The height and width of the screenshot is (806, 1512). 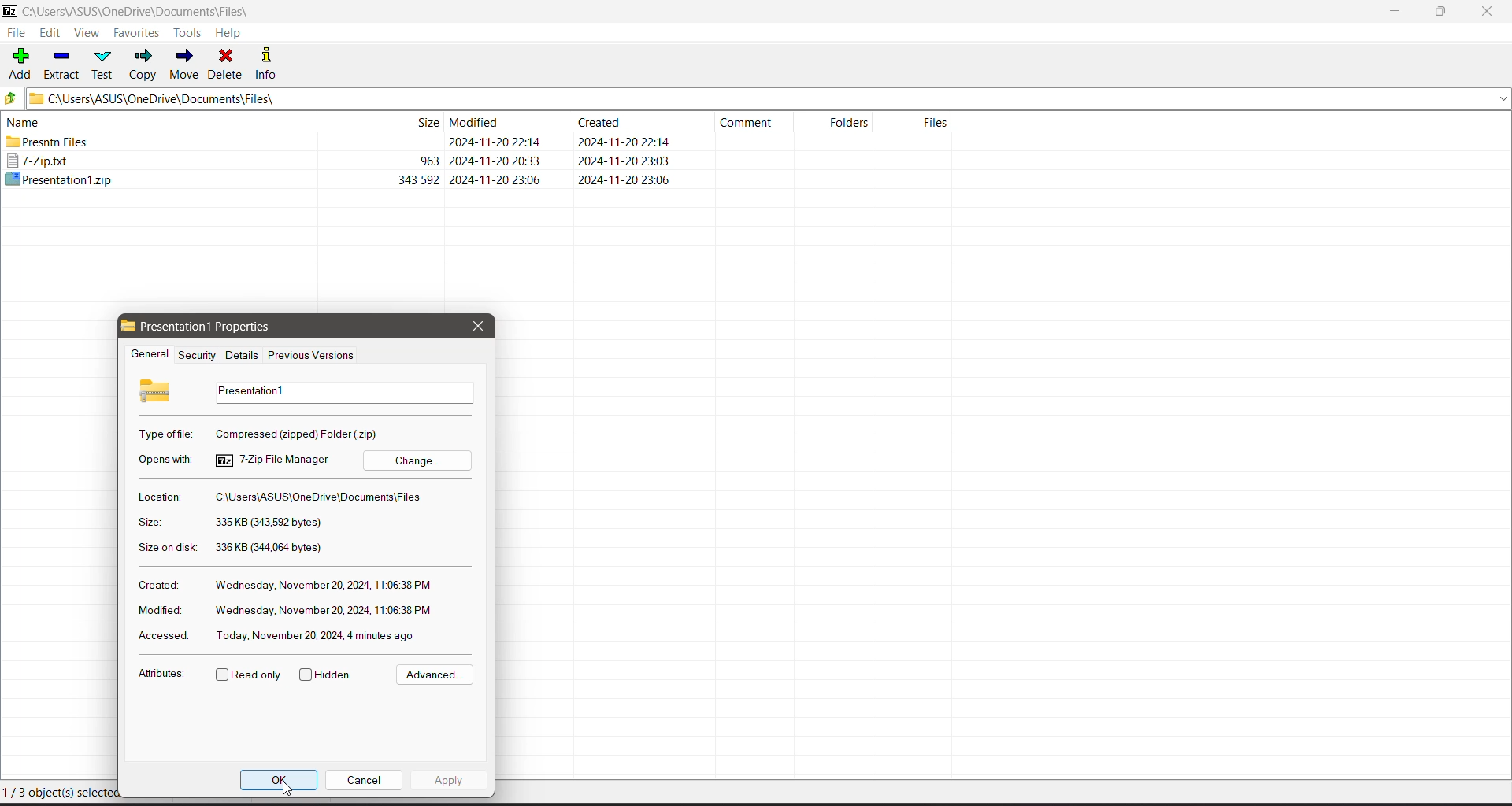 What do you see at coordinates (52, 34) in the screenshot?
I see `Edit` at bounding box center [52, 34].